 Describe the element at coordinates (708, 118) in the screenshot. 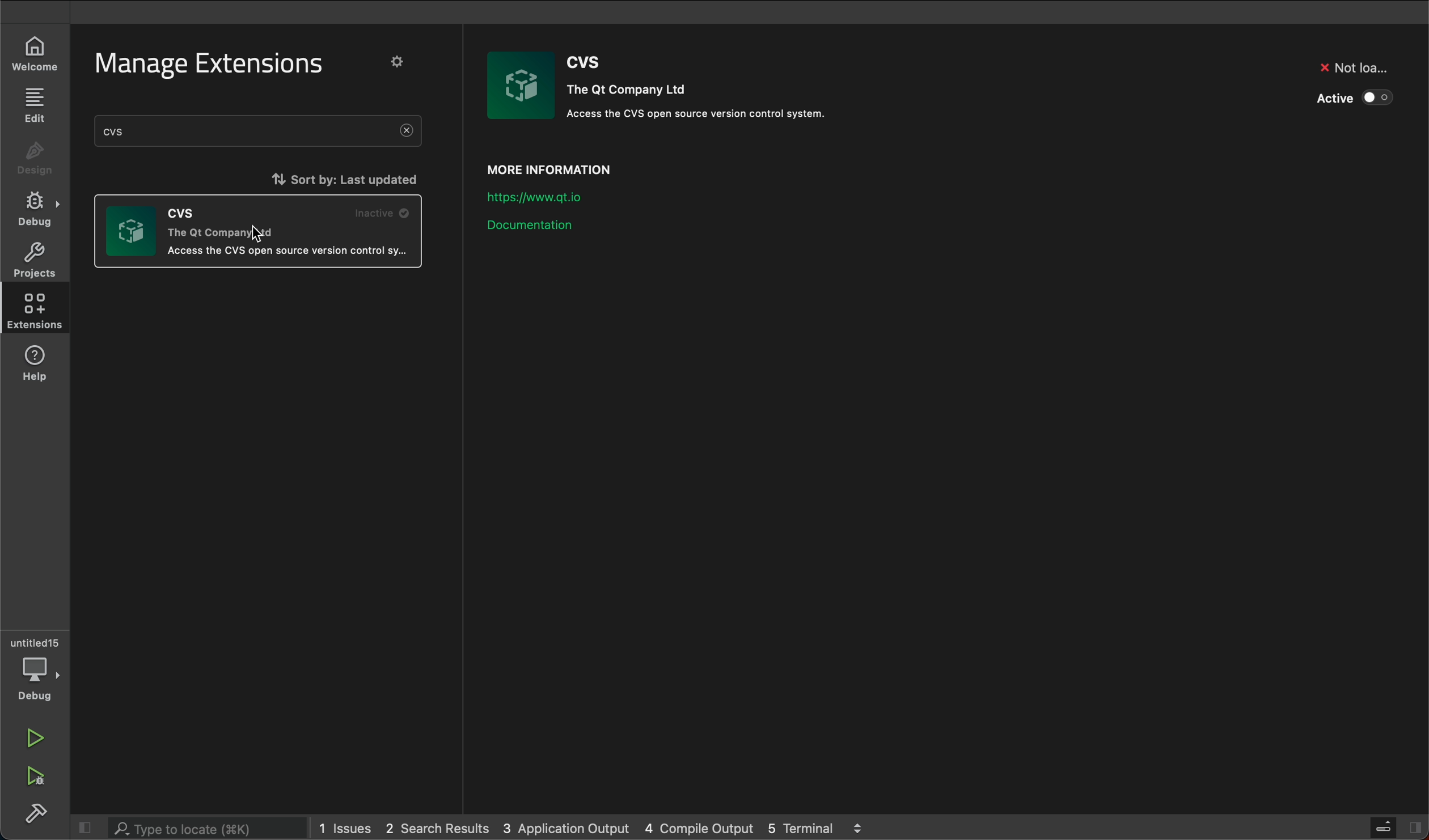

I see `Description ` at that location.